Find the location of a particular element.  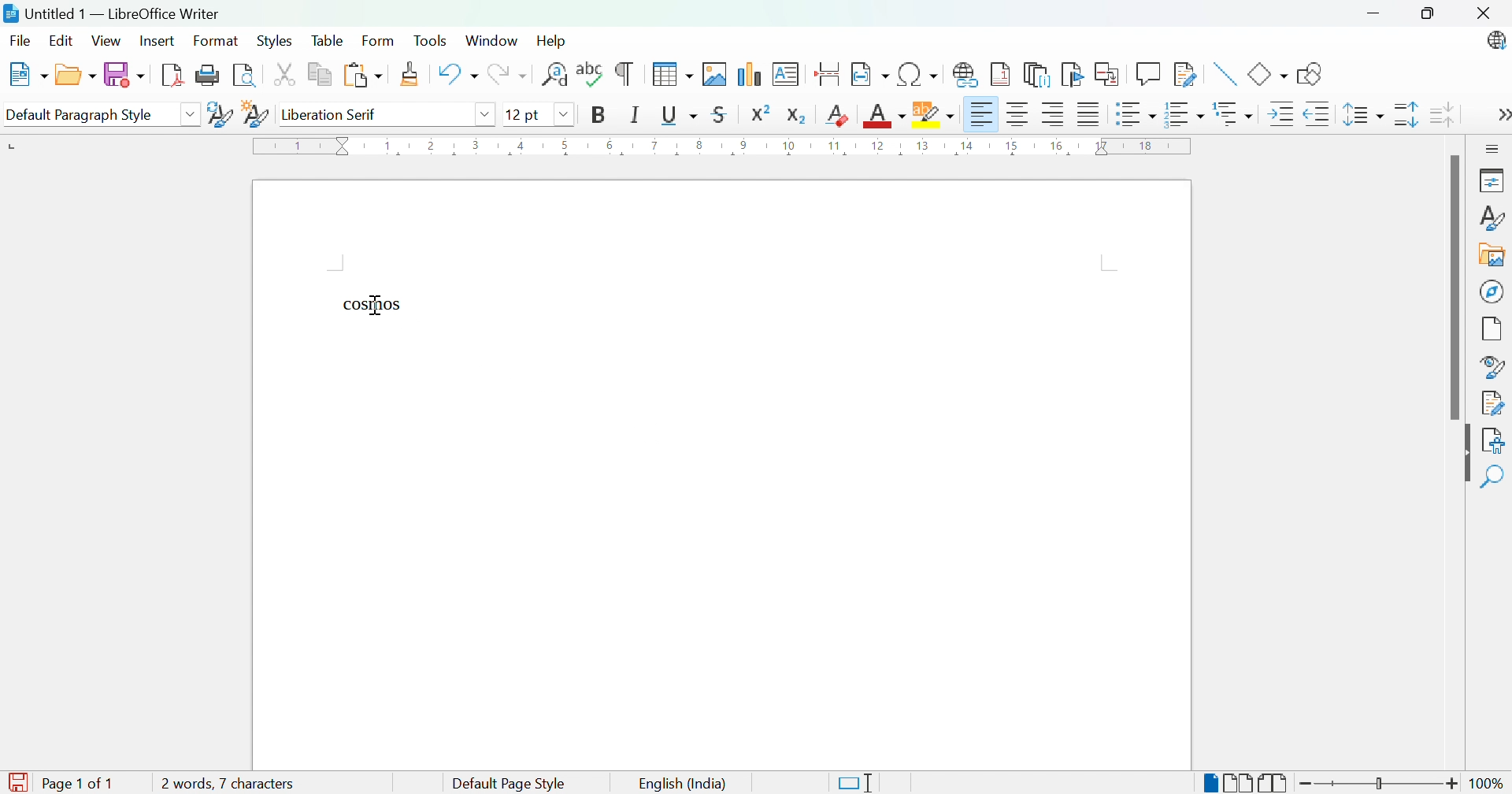

Insert line is located at coordinates (1227, 74).